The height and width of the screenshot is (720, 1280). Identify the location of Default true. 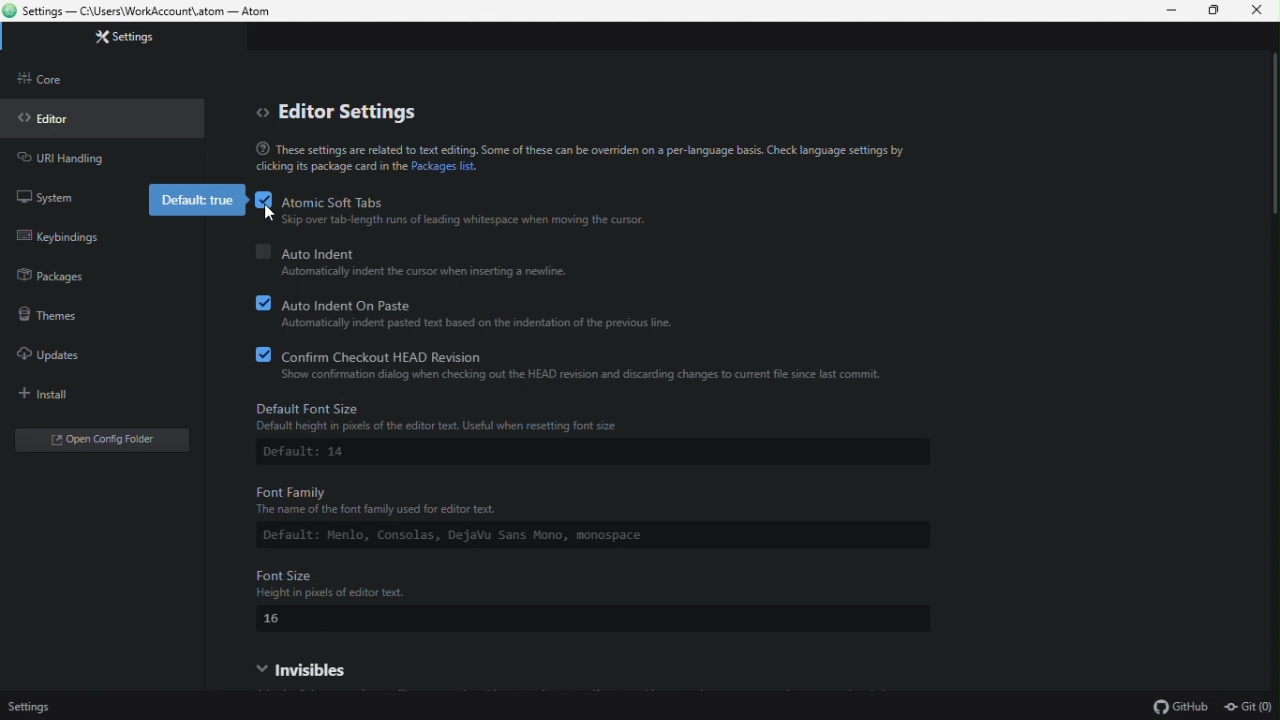
(191, 200).